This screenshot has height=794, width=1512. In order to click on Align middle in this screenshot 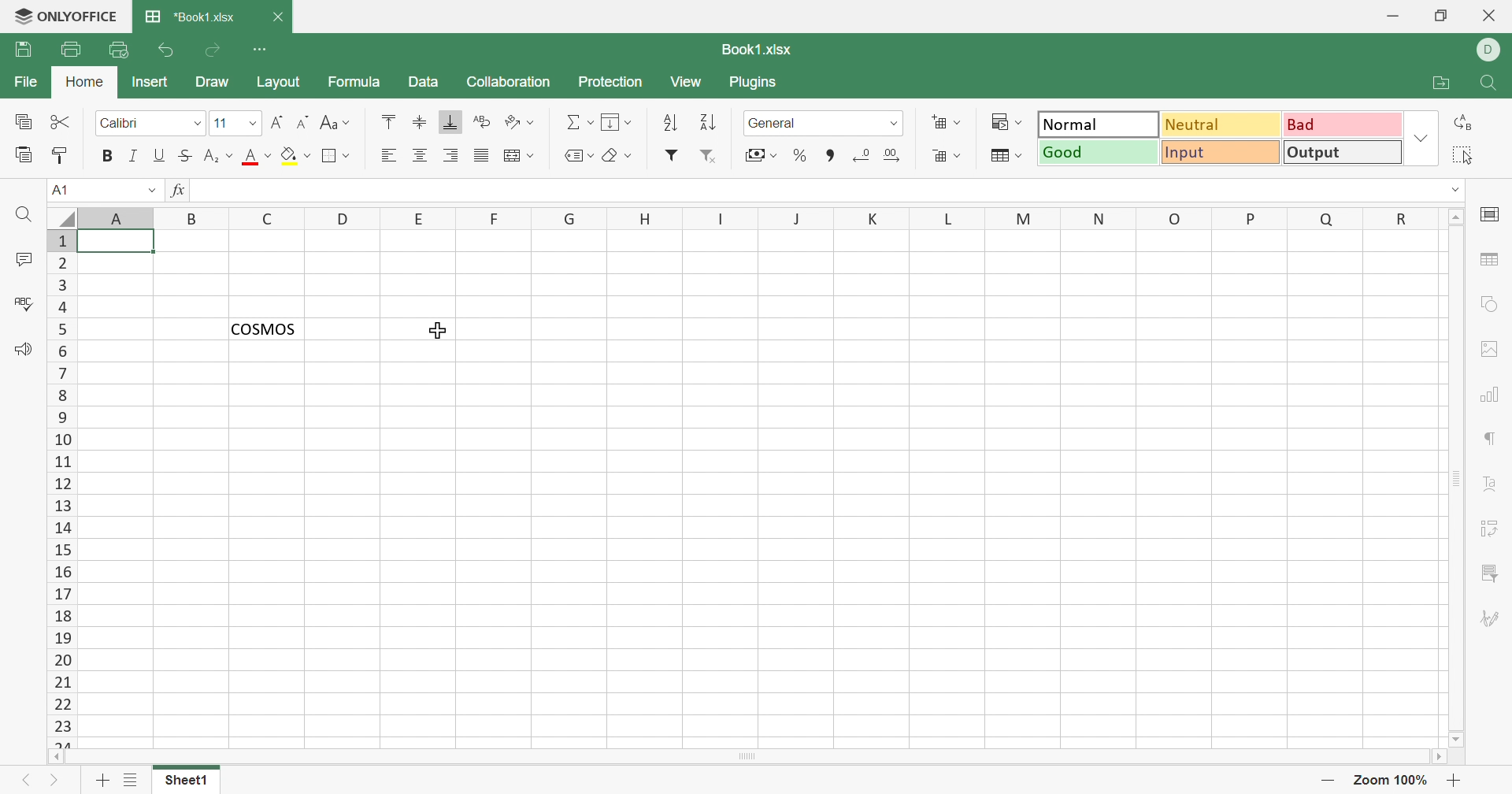, I will do `click(421, 123)`.